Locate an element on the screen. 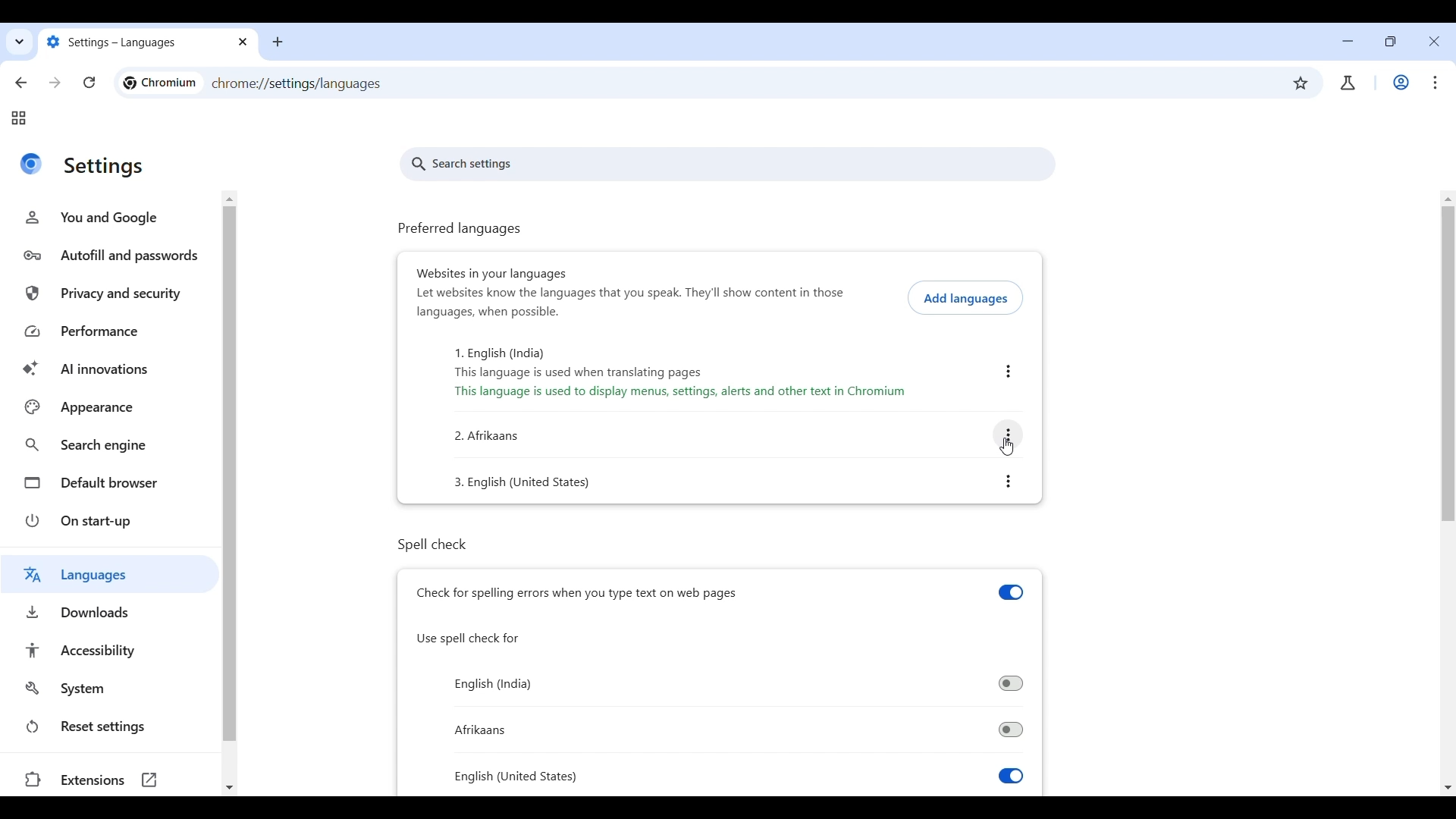  Vertical slide bar is located at coordinates (232, 475).